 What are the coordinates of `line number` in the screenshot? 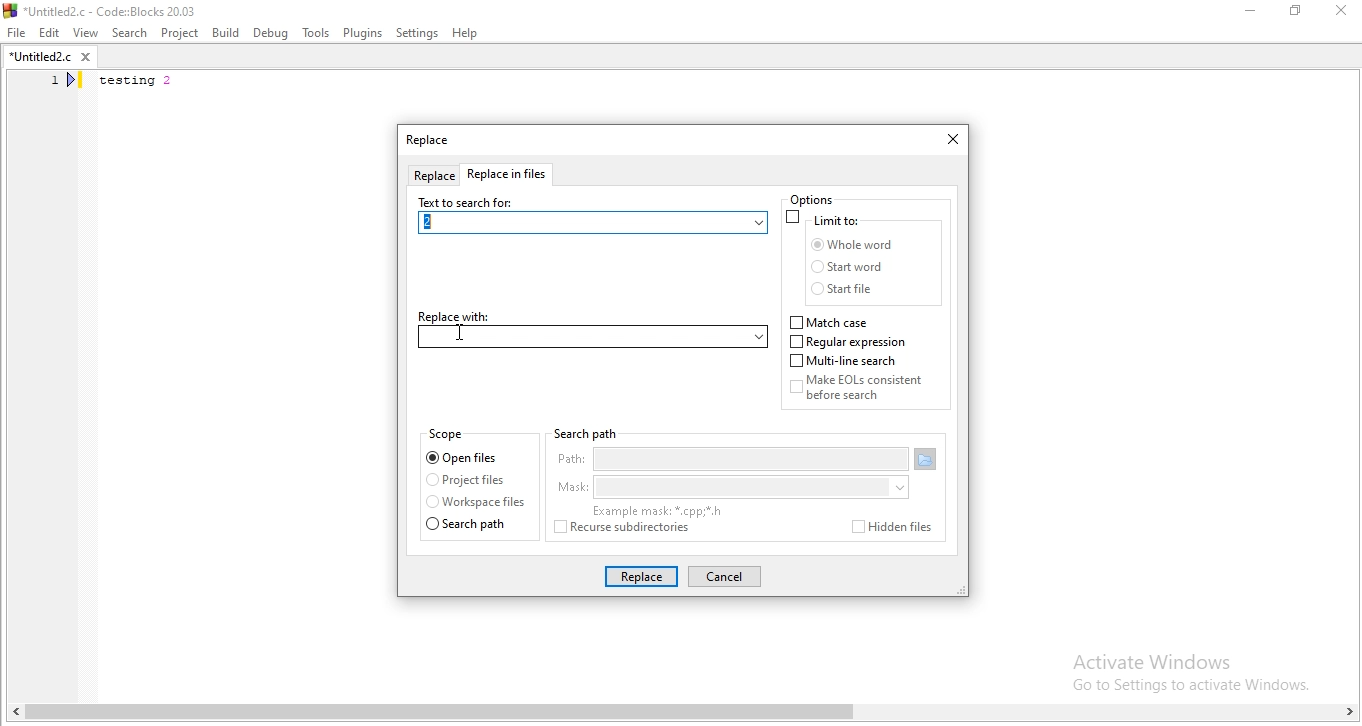 It's located at (65, 83).